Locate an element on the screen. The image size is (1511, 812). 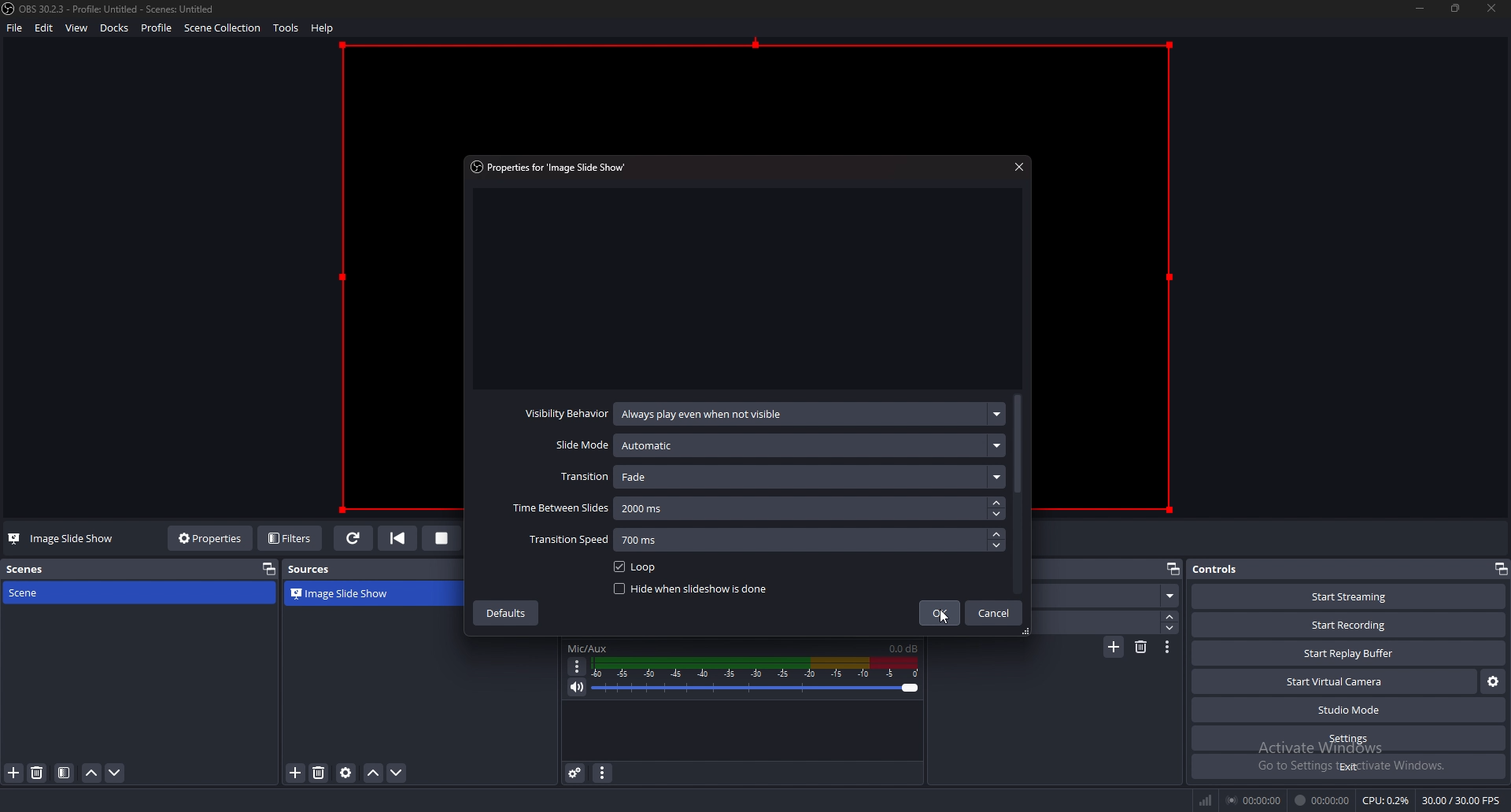
settings is located at coordinates (1348, 739).